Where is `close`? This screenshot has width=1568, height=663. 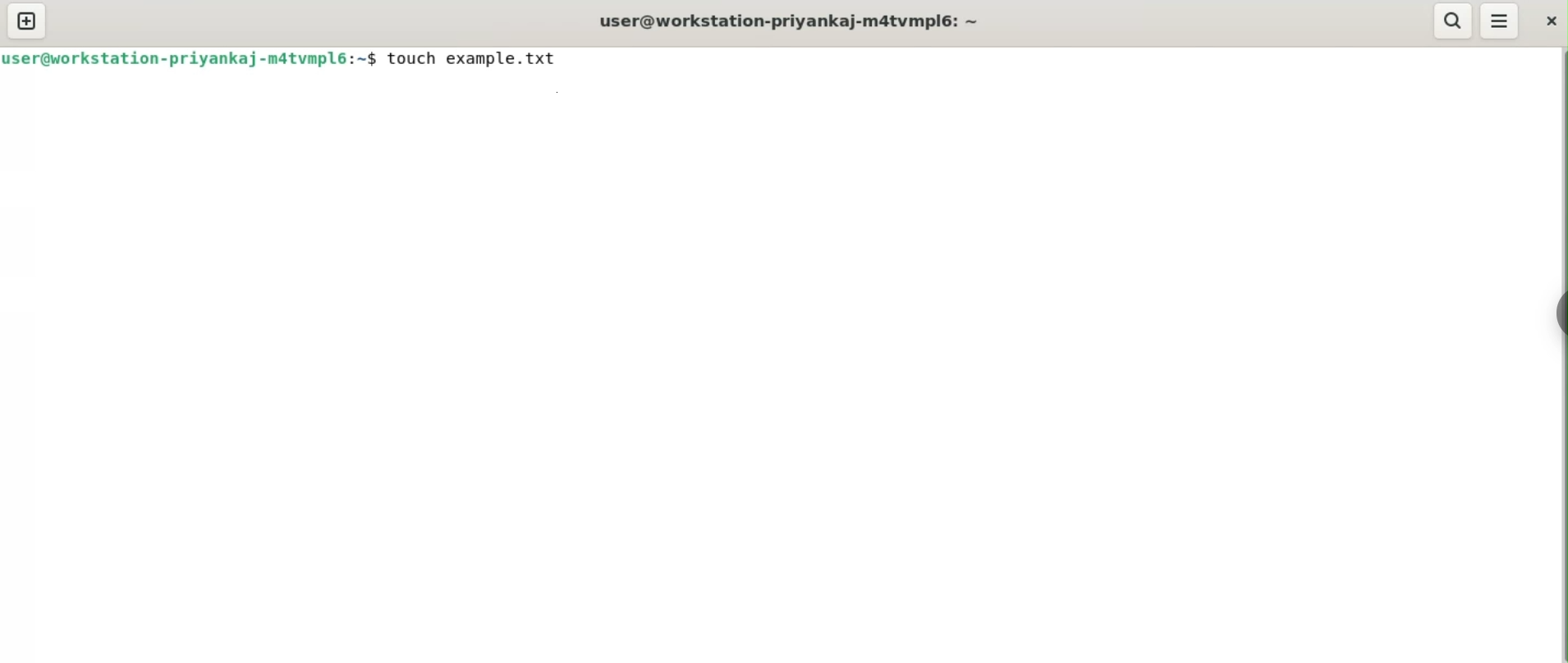
close is located at coordinates (1548, 22).